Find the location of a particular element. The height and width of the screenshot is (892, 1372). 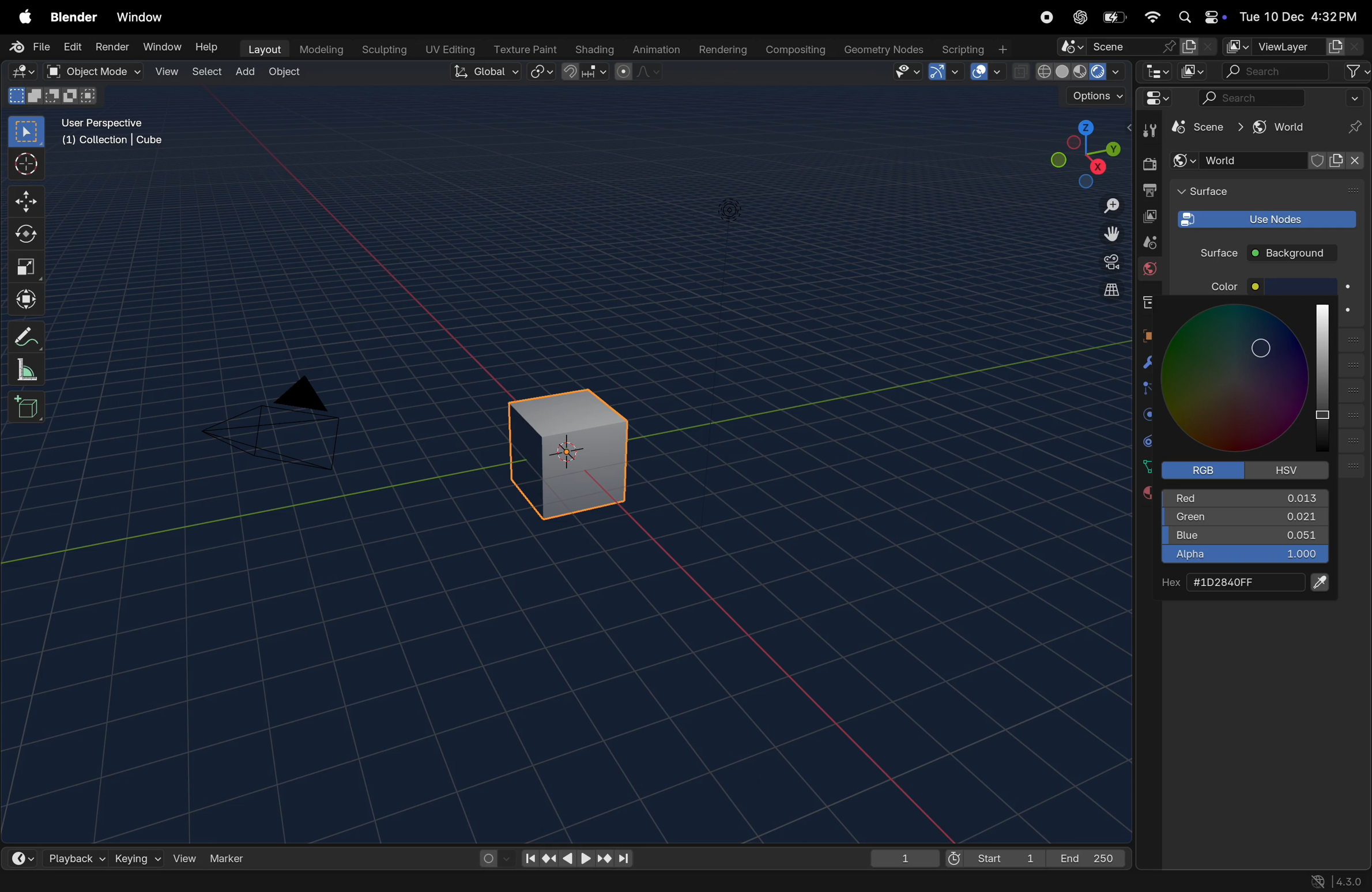

Alpha is located at coordinates (1243, 555).